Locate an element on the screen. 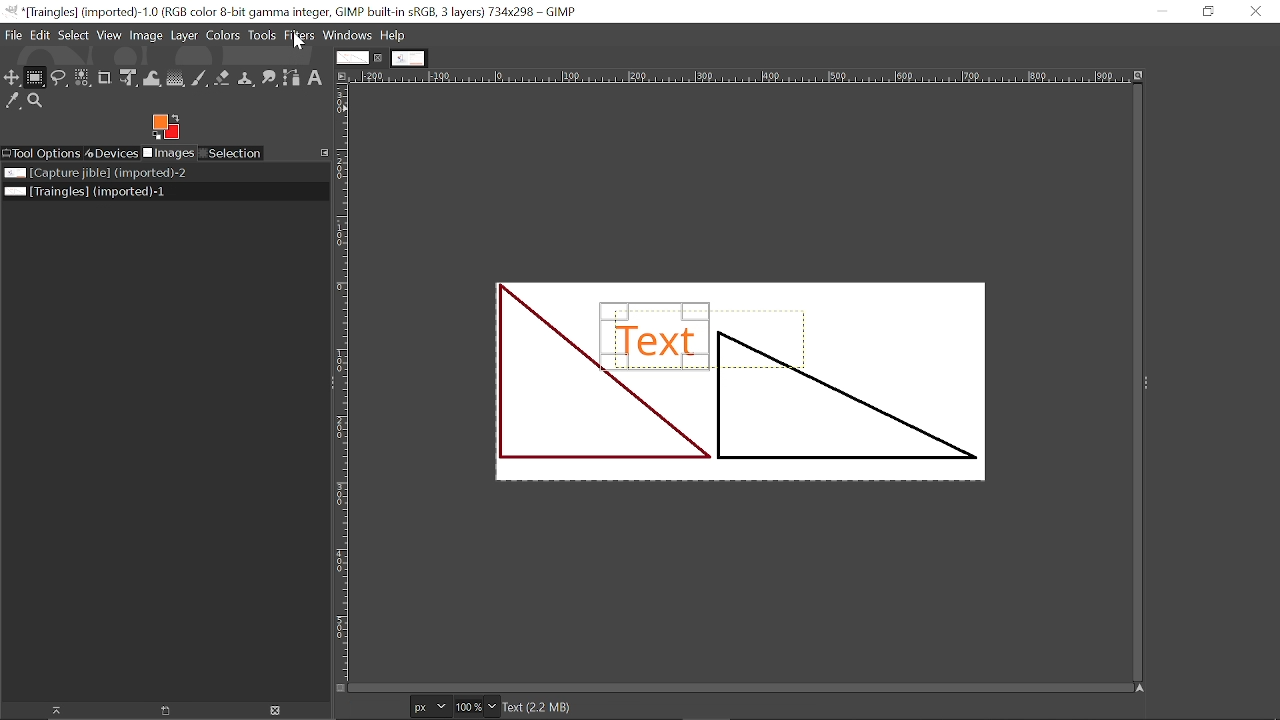 This screenshot has width=1280, height=720. Clone tool is located at coordinates (247, 79).